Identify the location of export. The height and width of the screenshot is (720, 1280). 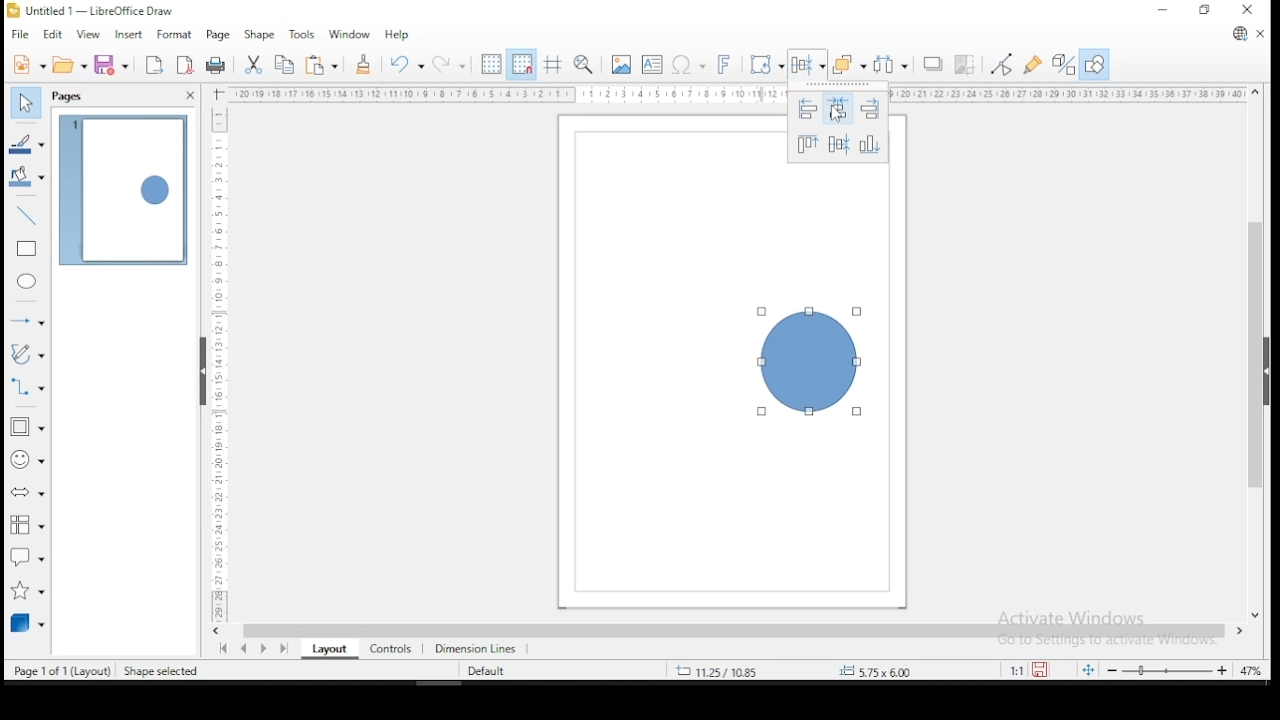
(152, 65).